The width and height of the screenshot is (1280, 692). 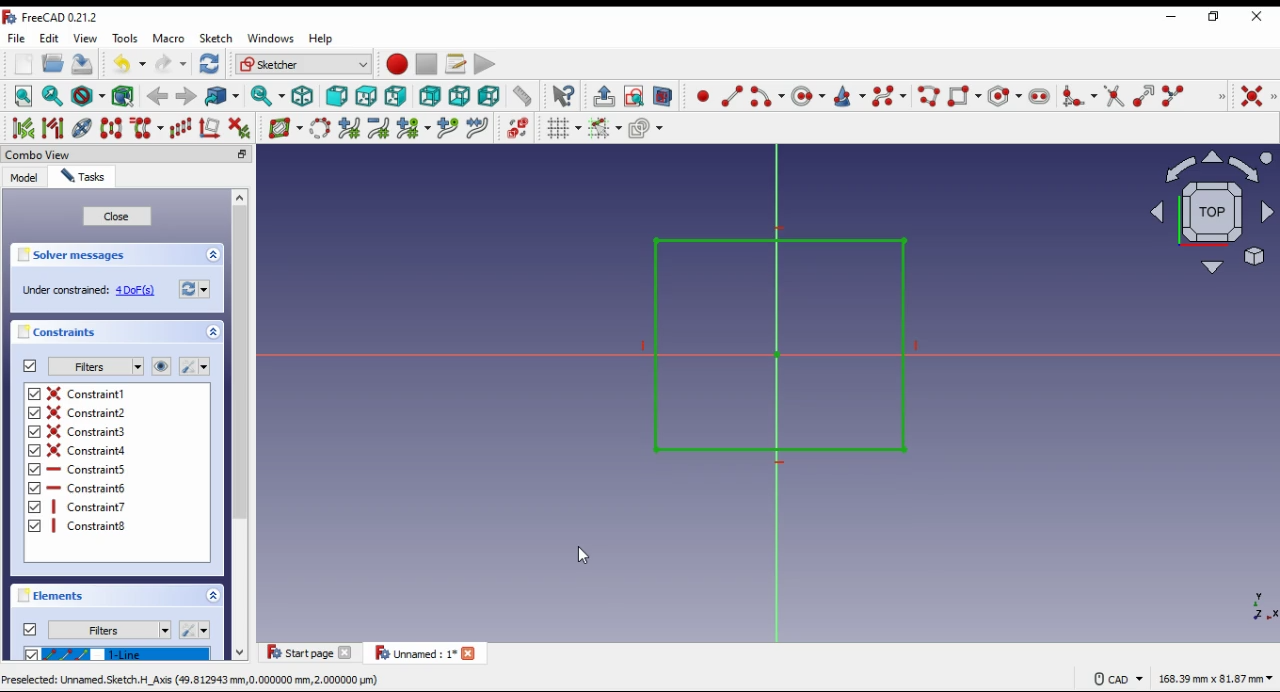 I want to click on on/off constraint 2, so click(x=88, y=412).